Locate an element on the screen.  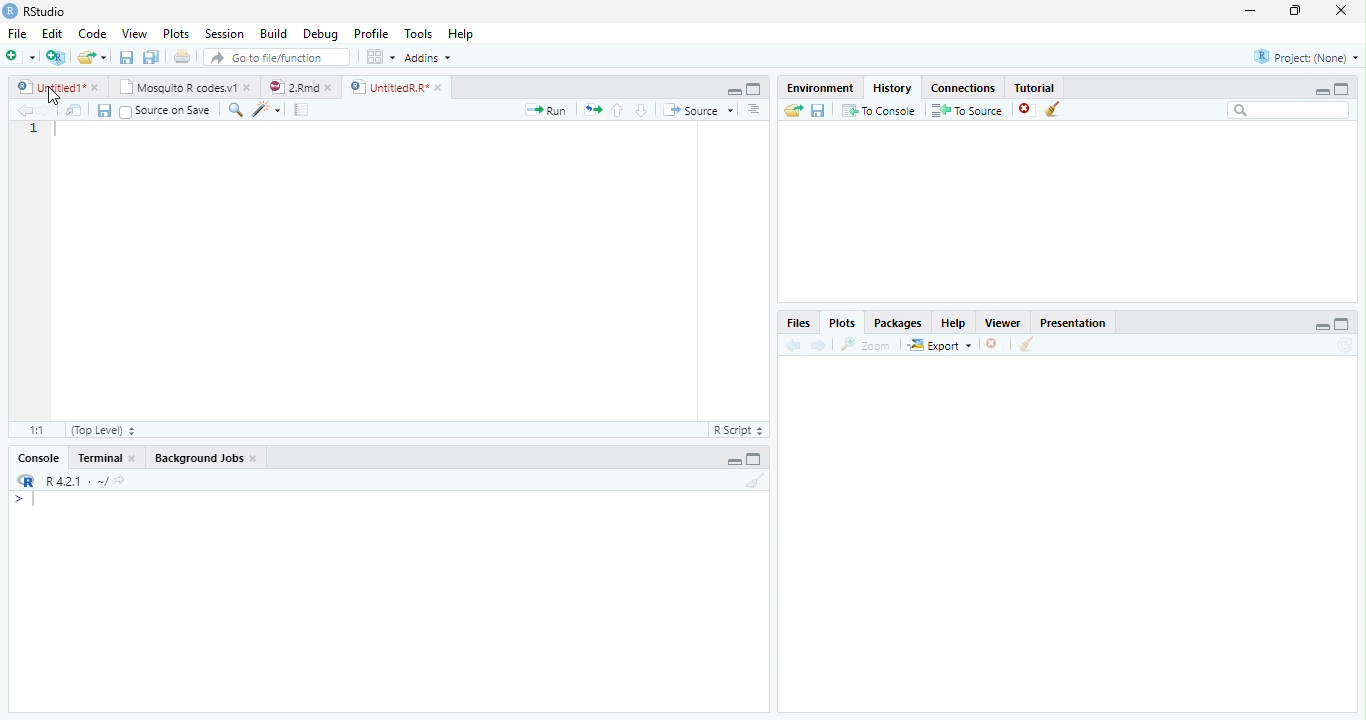
Build is located at coordinates (274, 34).